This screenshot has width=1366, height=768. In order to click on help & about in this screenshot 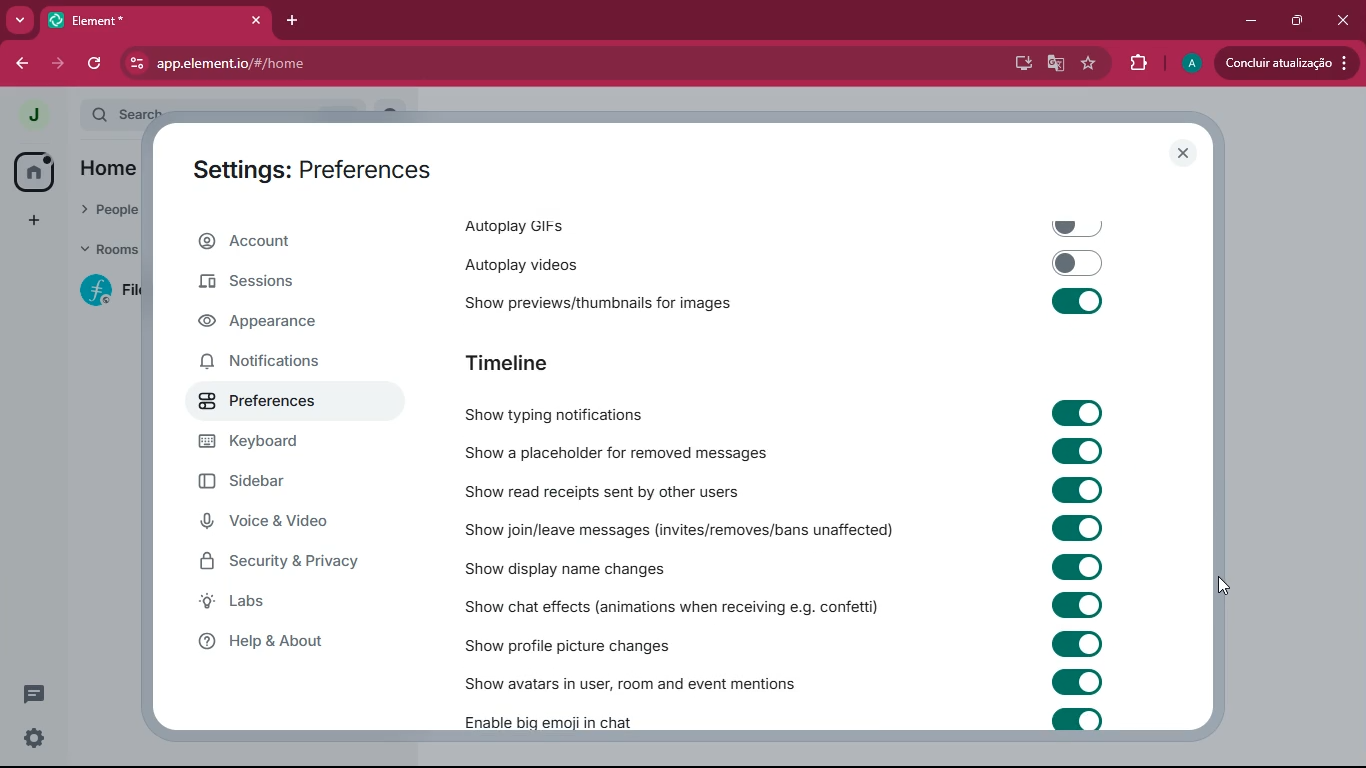, I will do `click(300, 646)`.